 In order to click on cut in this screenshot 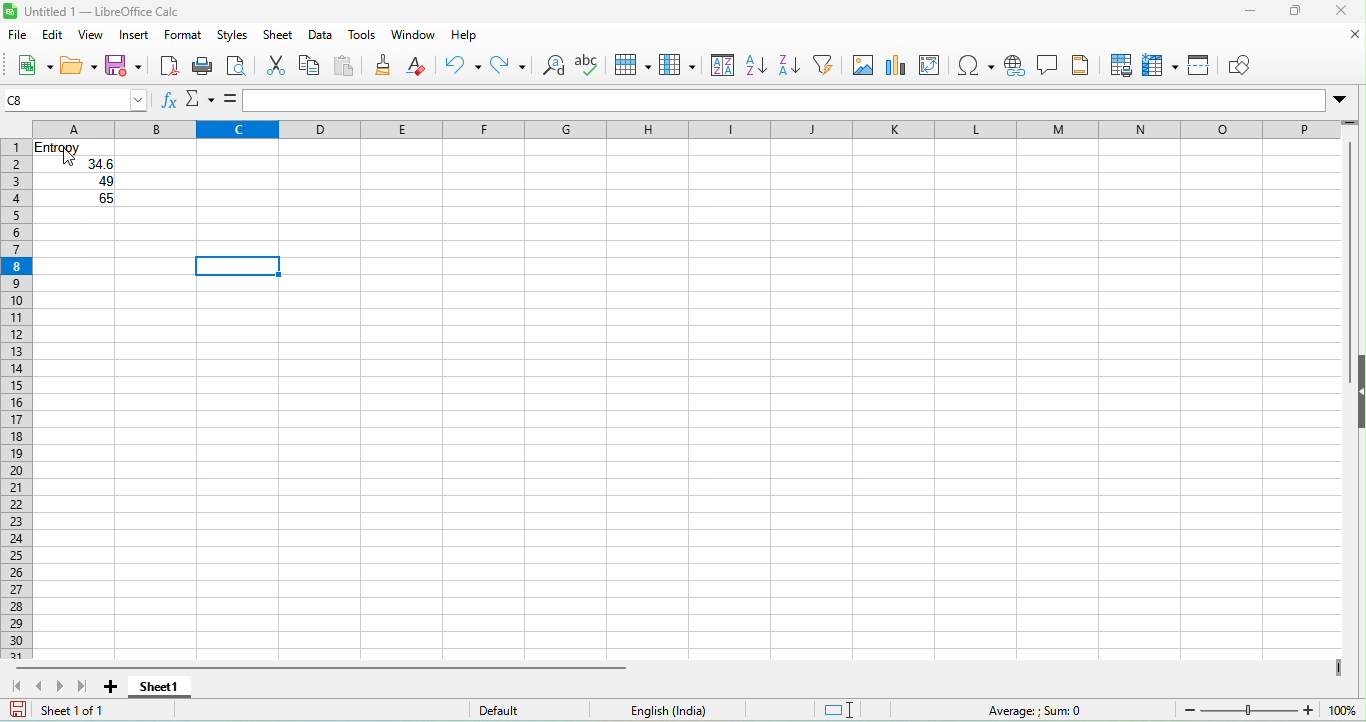, I will do `click(272, 68)`.